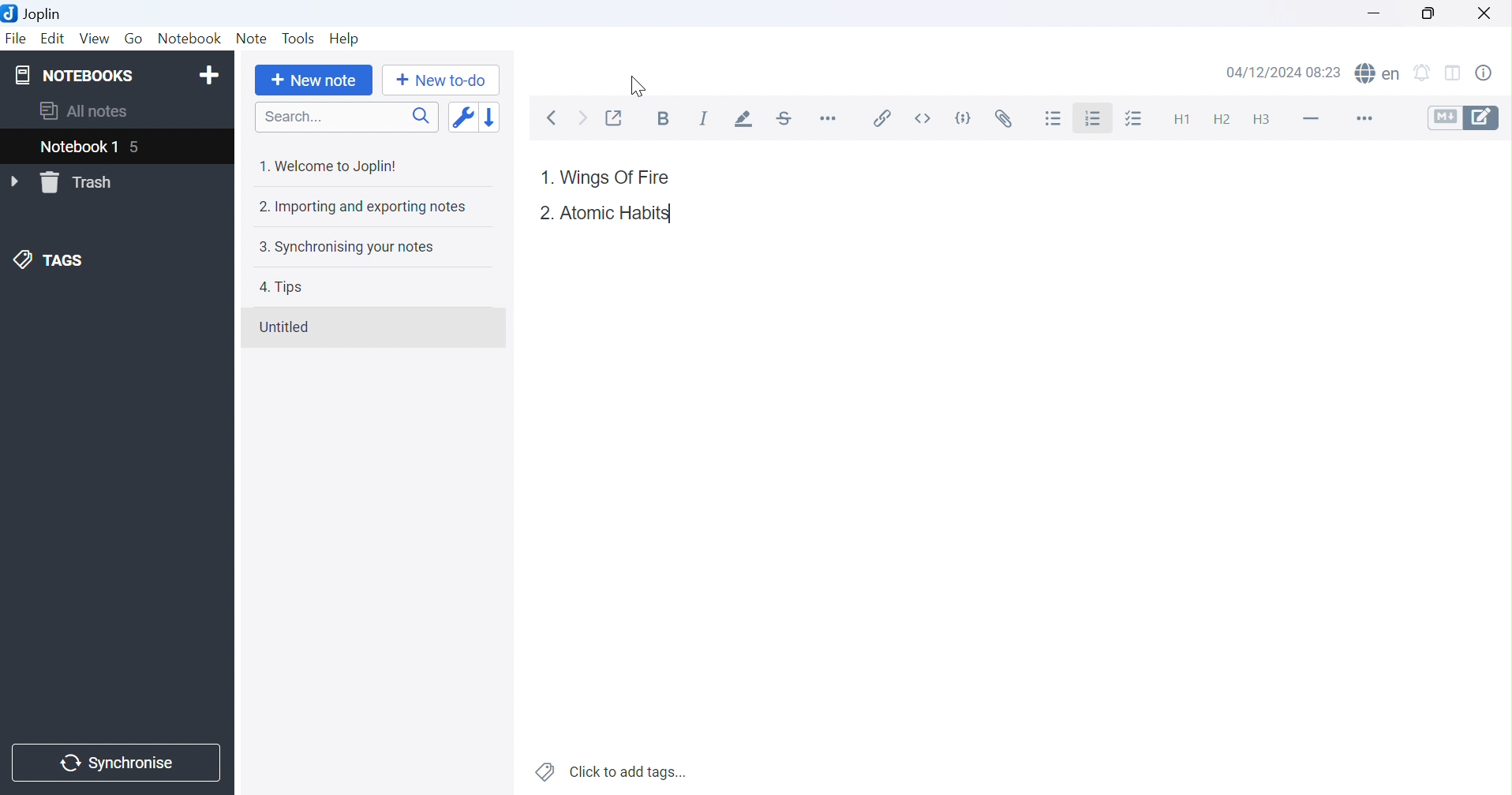 This screenshot has height=795, width=1512. Describe the element at coordinates (254, 36) in the screenshot. I see `Note` at that location.